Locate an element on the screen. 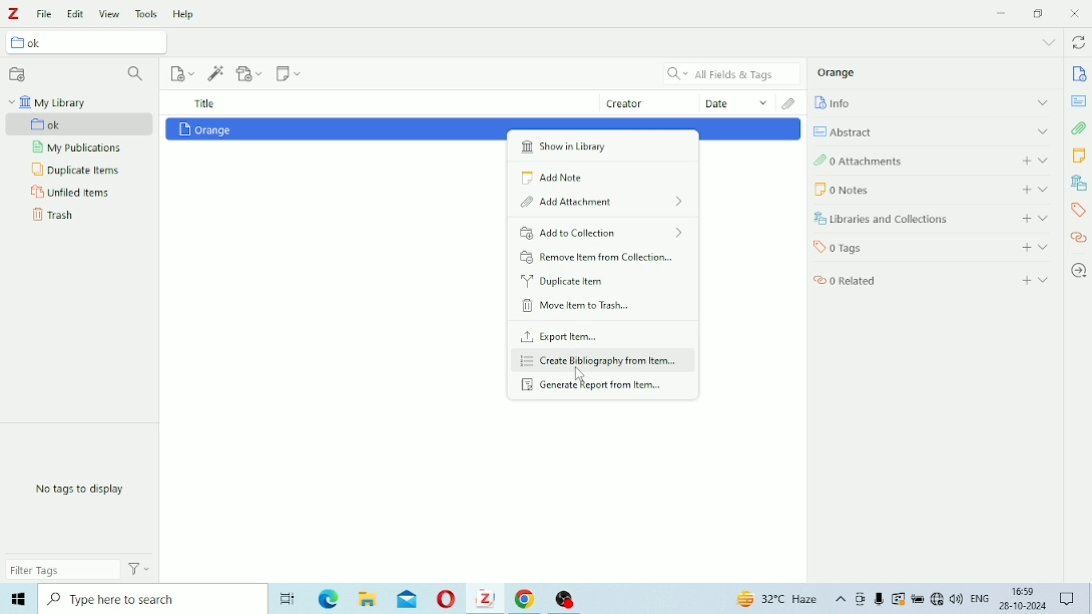  Orange is located at coordinates (205, 129).